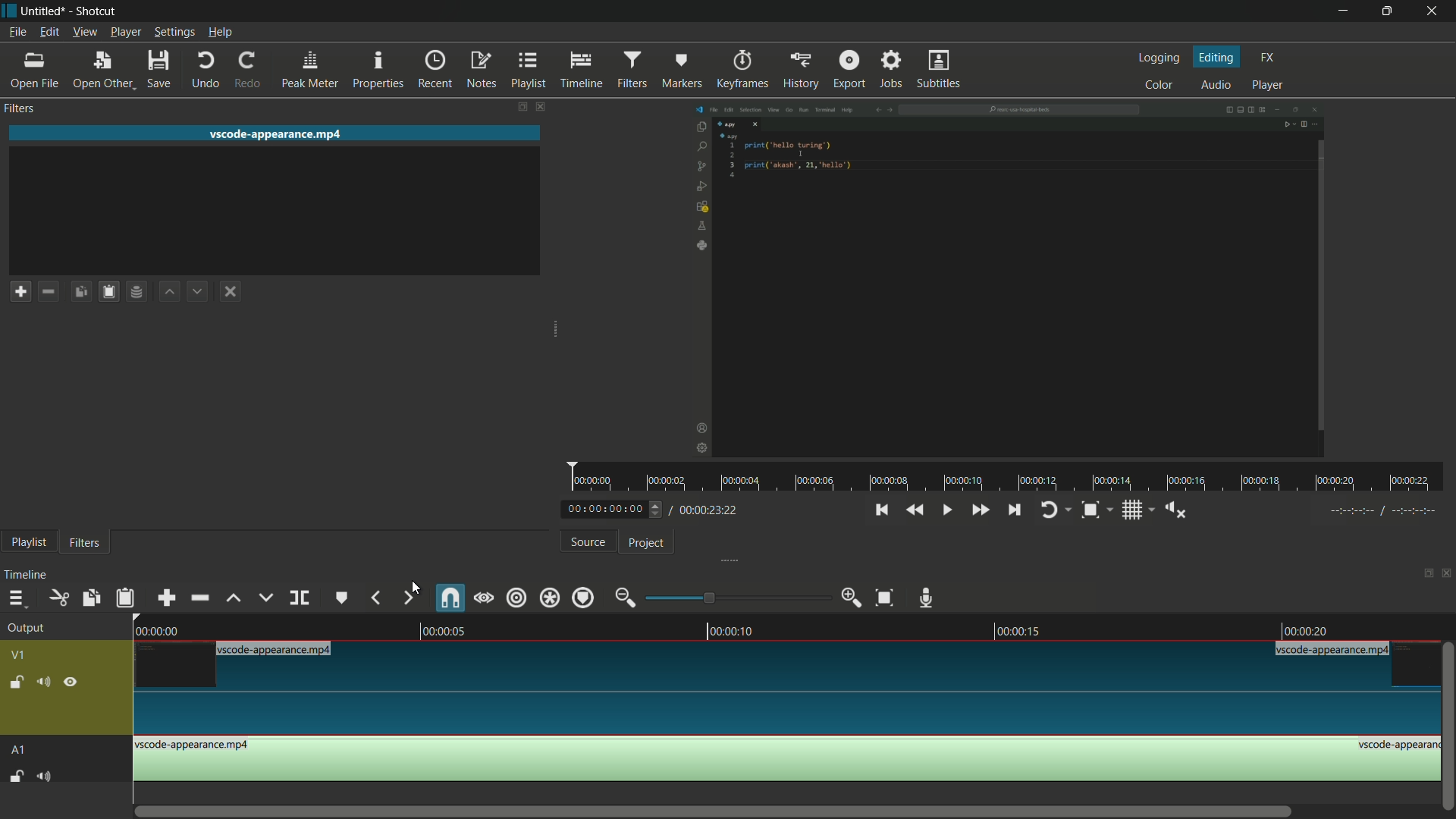 The width and height of the screenshot is (1456, 819). What do you see at coordinates (1343, 11) in the screenshot?
I see `minimize` at bounding box center [1343, 11].